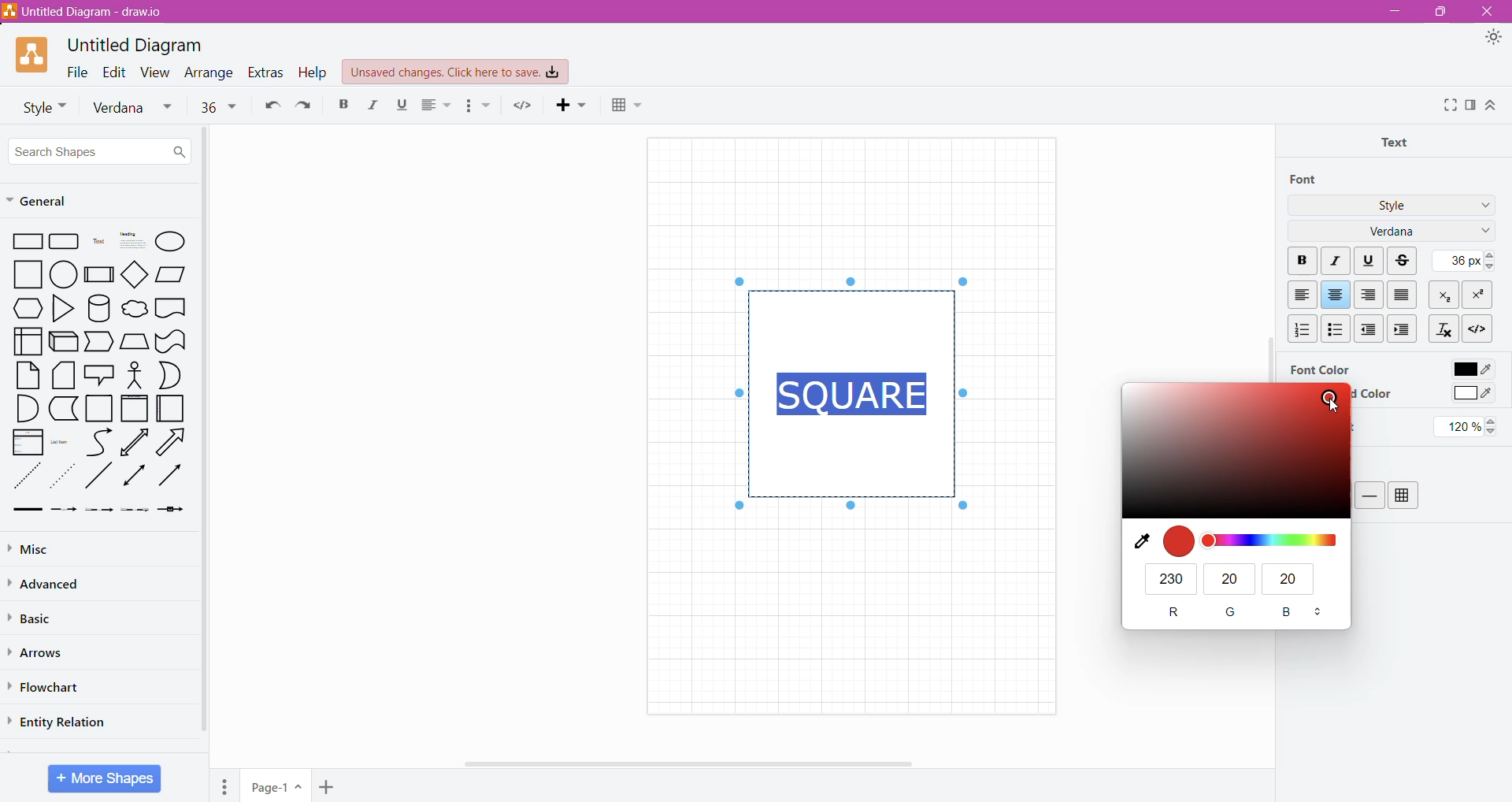 The height and width of the screenshot is (802, 1512). What do you see at coordinates (439, 105) in the screenshot?
I see `Text Alignment` at bounding box center [439, 105].